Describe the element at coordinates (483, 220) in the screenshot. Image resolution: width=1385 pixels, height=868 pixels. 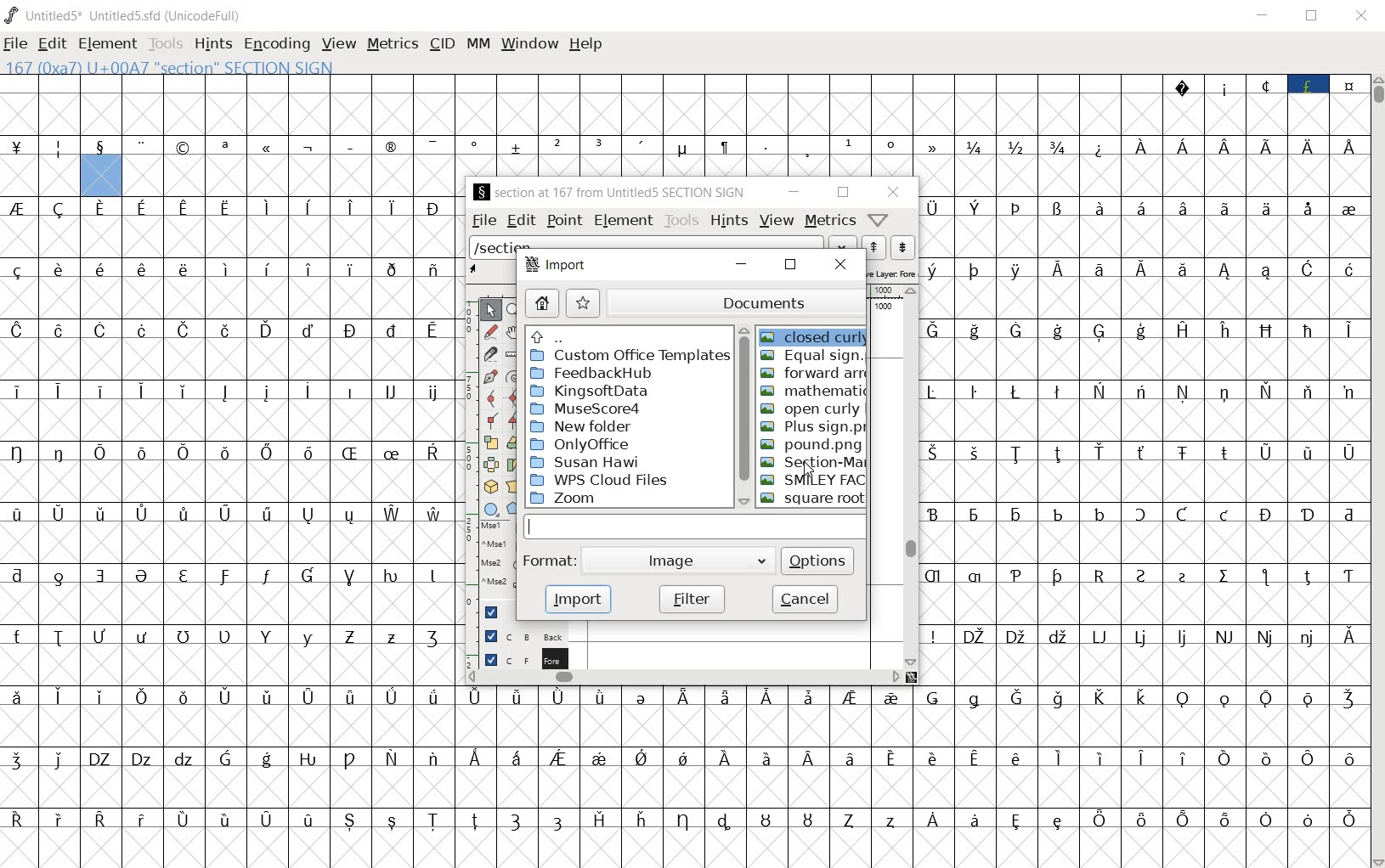
I see `file` at that location.